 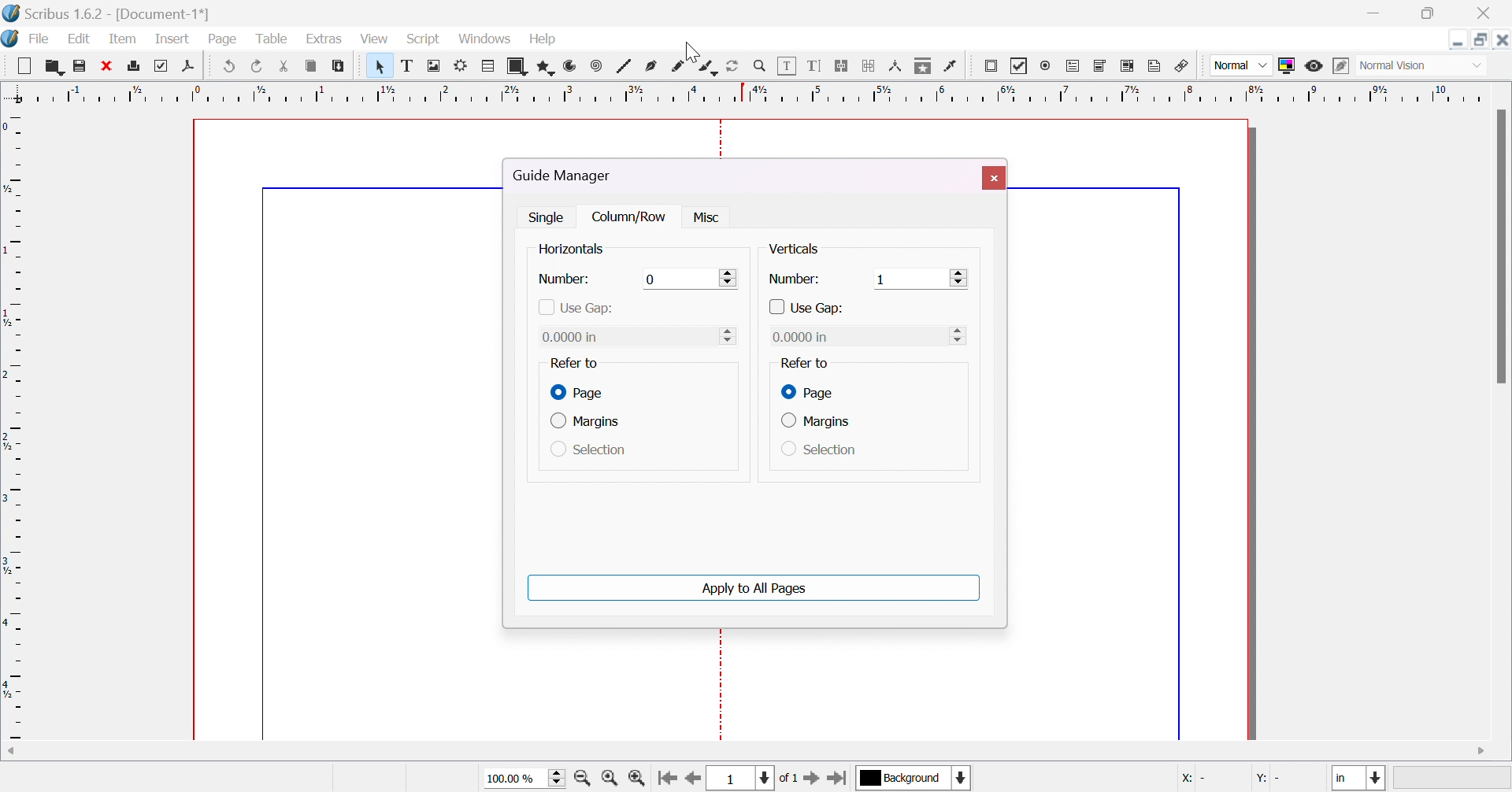 I want to click on copy item properties, so click(x=925, y=67).